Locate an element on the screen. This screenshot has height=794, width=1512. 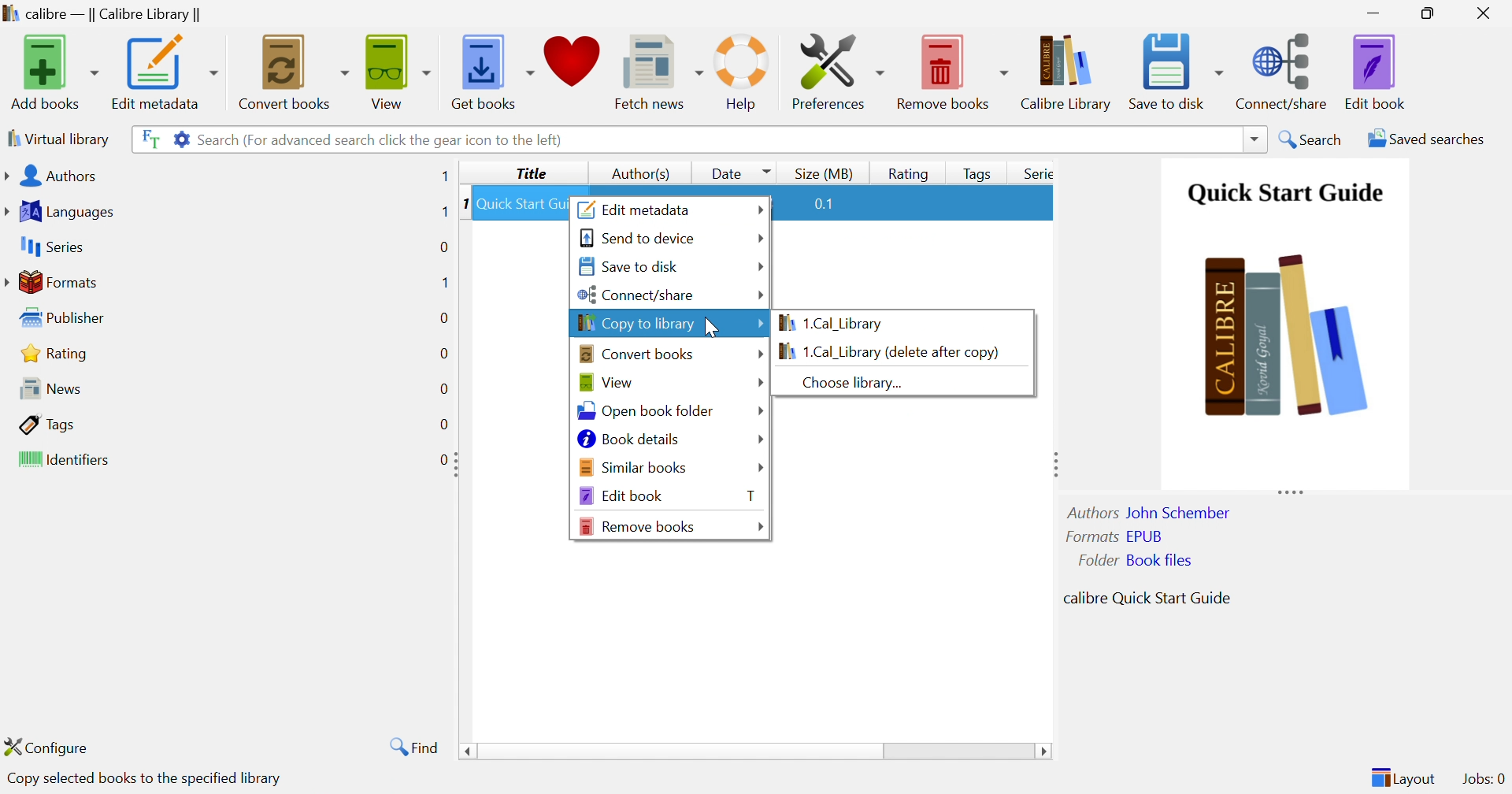
Scroll Right is located at coordinates (1044, 752).